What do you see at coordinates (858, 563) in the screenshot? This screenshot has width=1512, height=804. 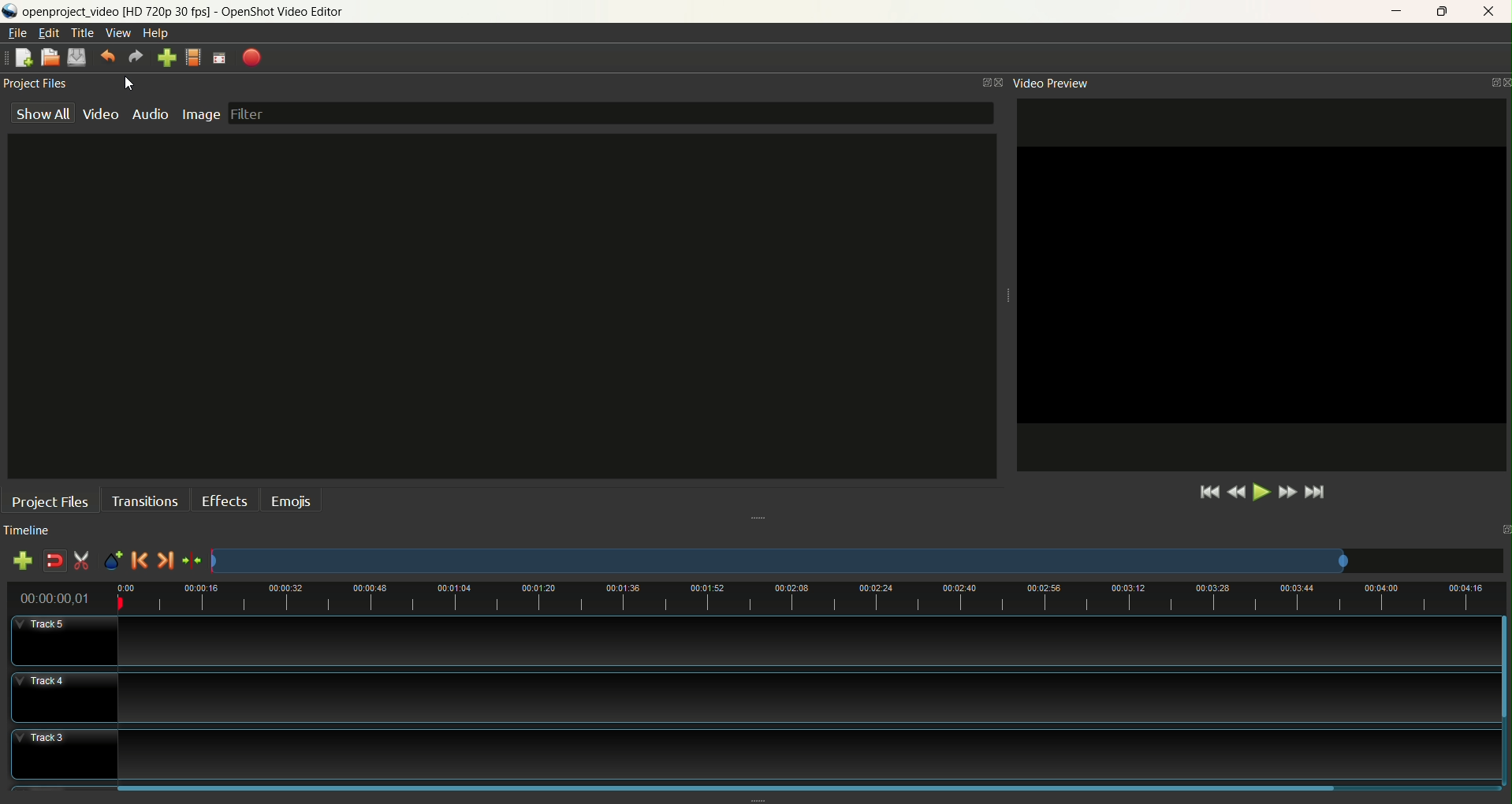 I see `zoom factor` at bounding box center [858, 563].